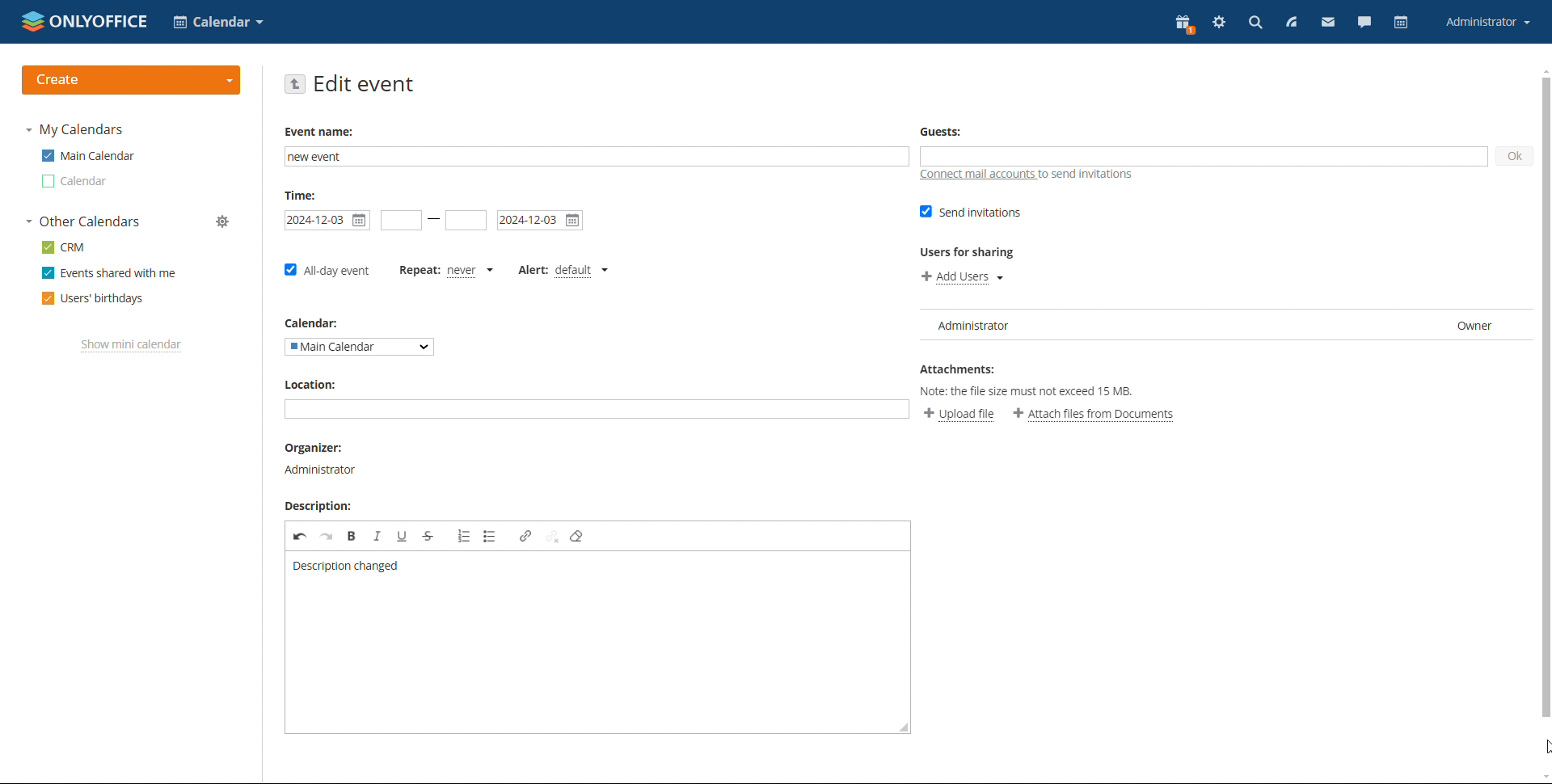 This screenshot has width=1552, height=784. I want to click on scrollbar, so click(1551, 400).